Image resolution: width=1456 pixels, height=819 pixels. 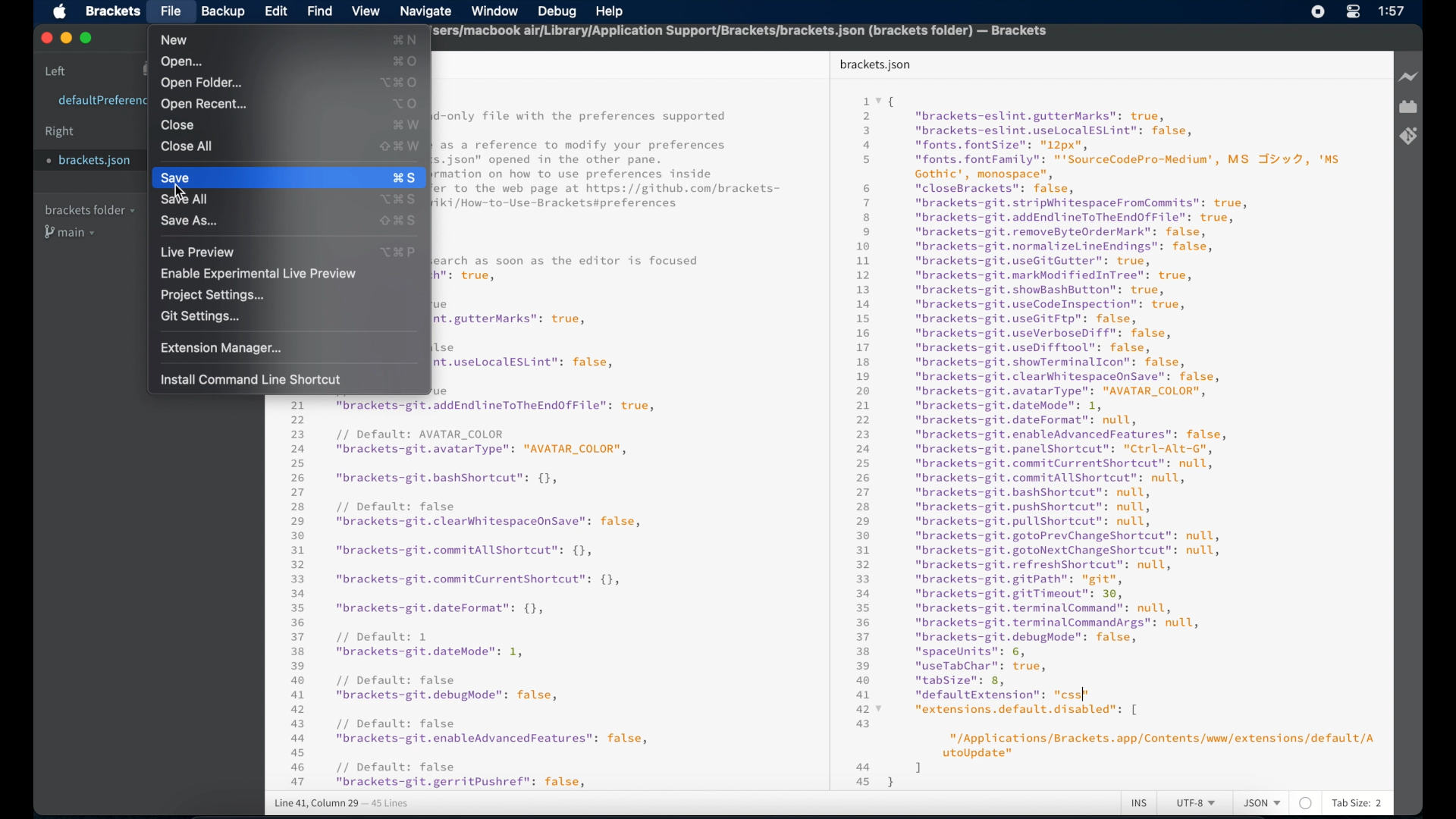 What do you see at coordinates (398, 251) in the screenshot?
I see `live preview shortcut` at bounding box center [398, 251].